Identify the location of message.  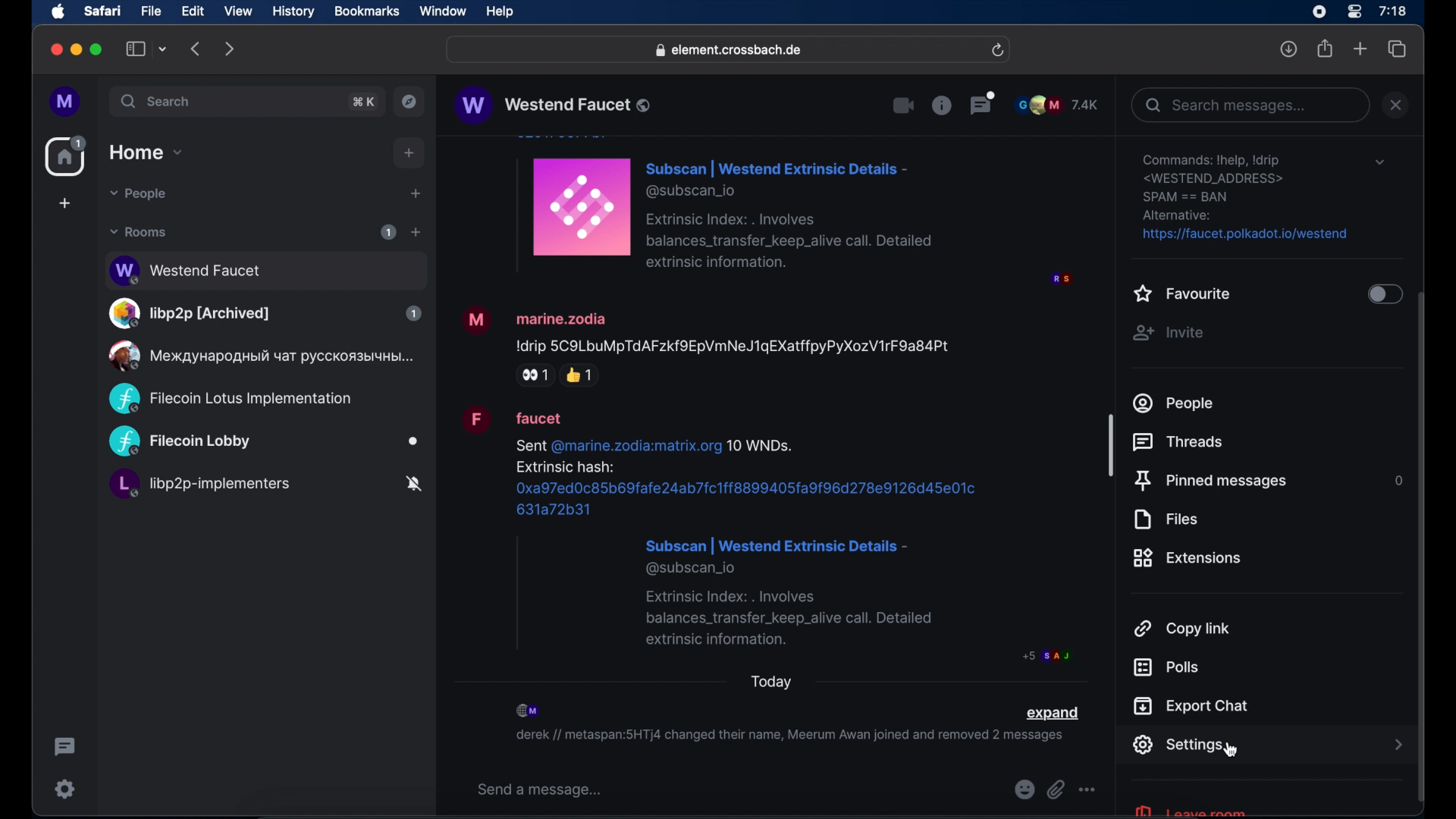
(791, 212).